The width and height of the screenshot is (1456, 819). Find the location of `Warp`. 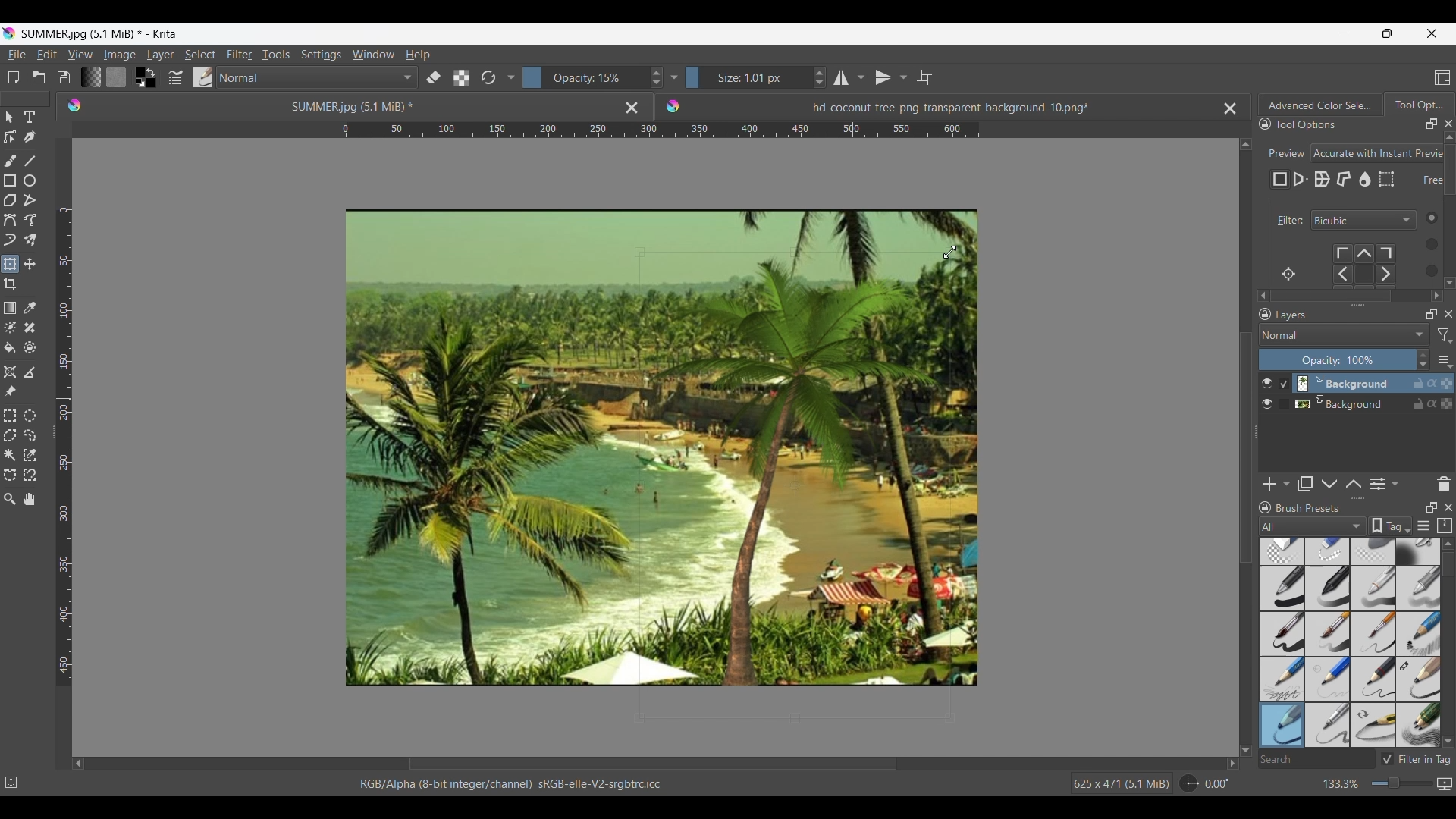

Warp is located at coordinates (1322, 180).